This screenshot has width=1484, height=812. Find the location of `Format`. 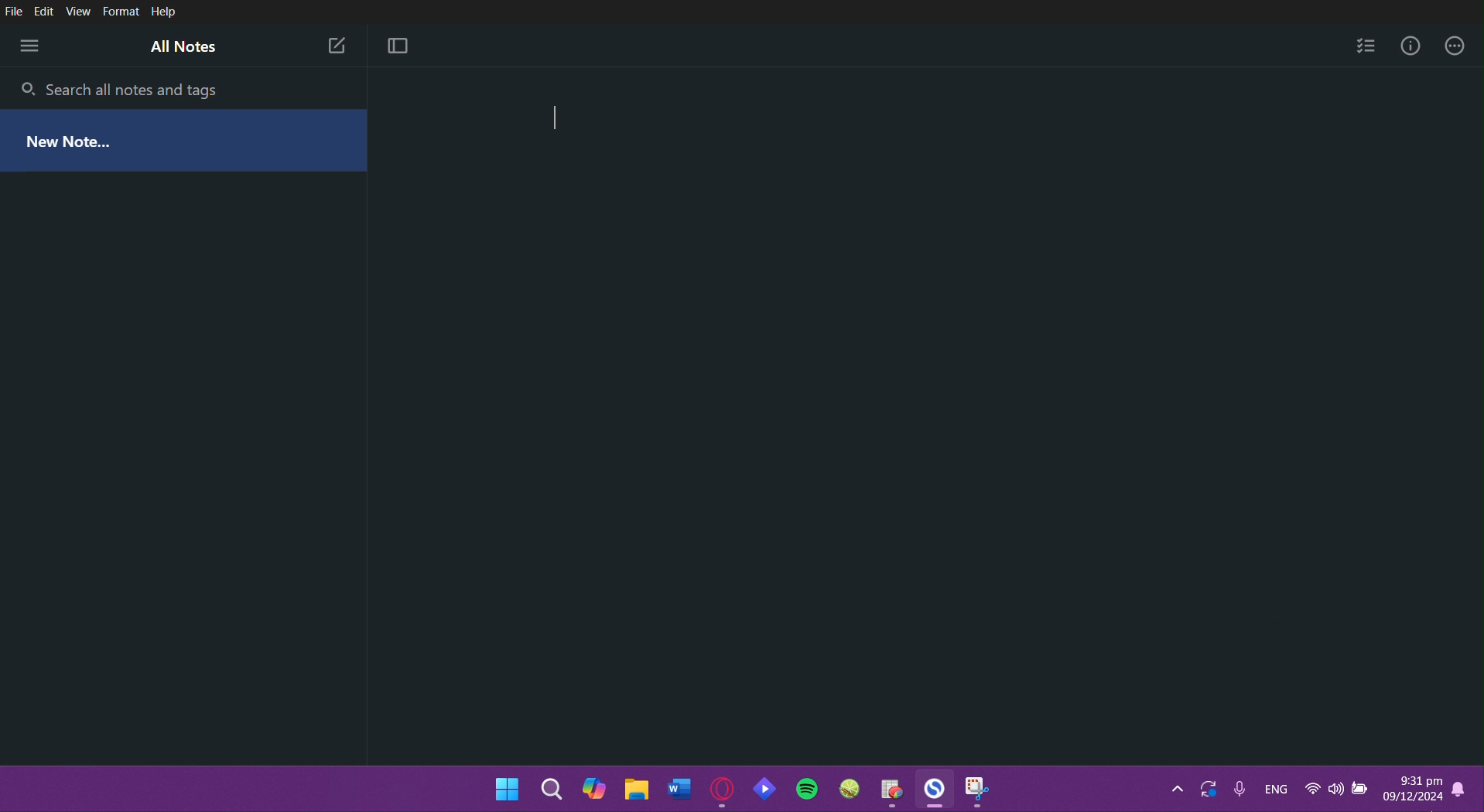

Format is located at coordinates (119, 12).